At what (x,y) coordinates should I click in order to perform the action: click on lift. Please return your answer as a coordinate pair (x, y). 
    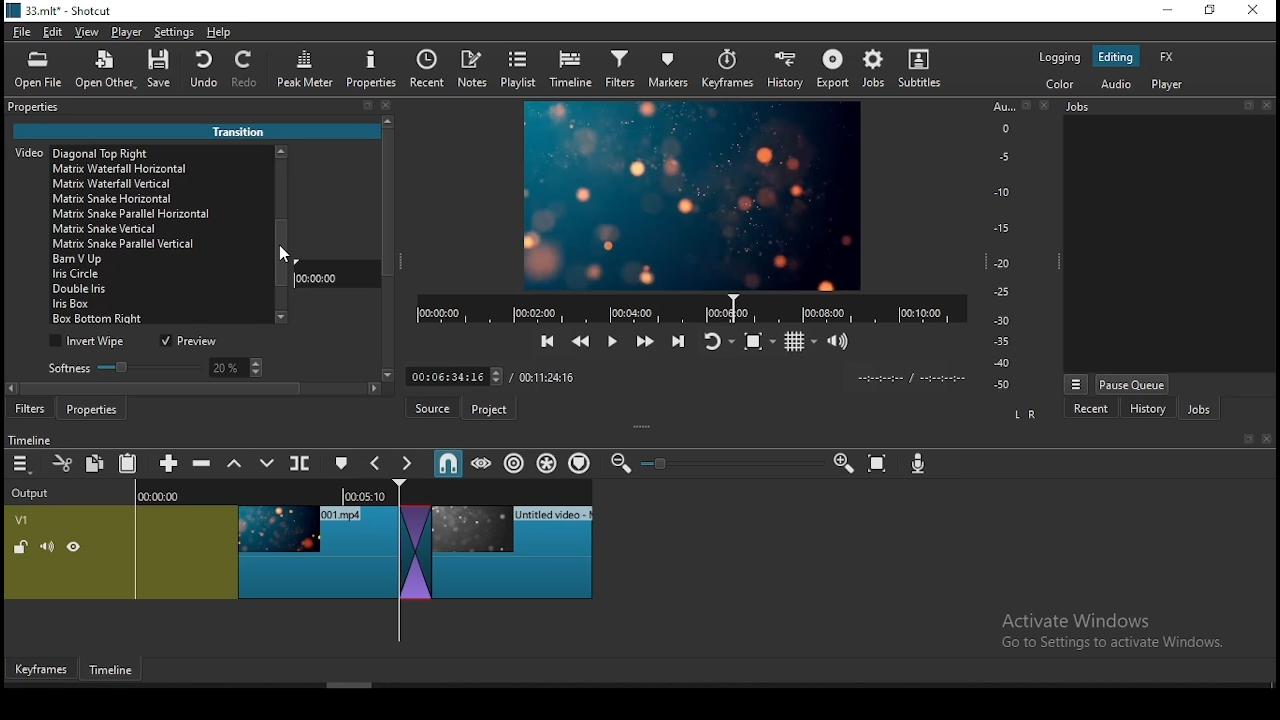
    Looking at the image, I should click on (235, 464).